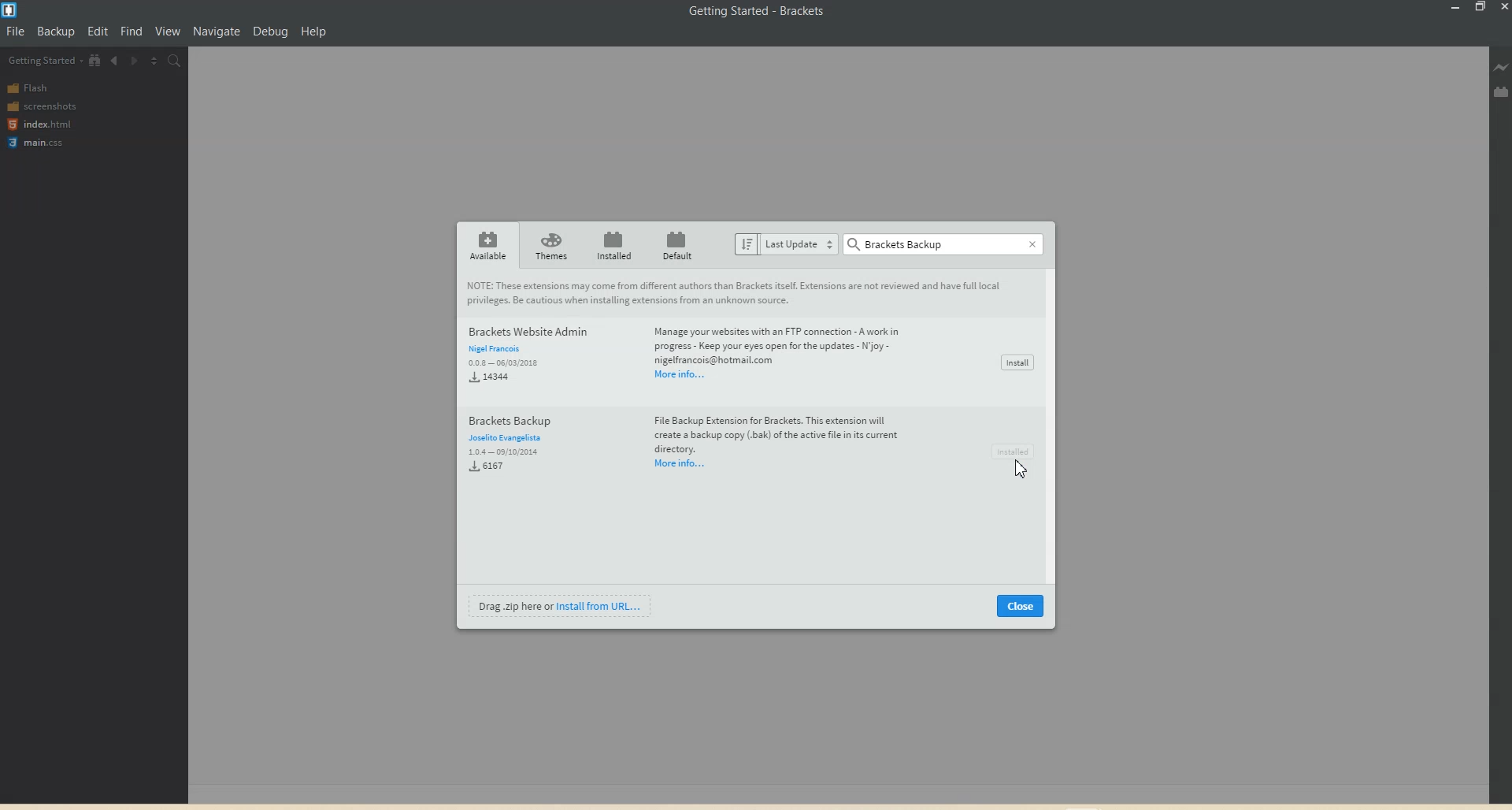 Image resolution: width=1512 pixels, height=810 pixels. Describe the element at coordinates (519, 446) in the screenshot. I see `Brackets Backup Joselito Evangelista 1.0.4—09/10/2004 6167` at that location.